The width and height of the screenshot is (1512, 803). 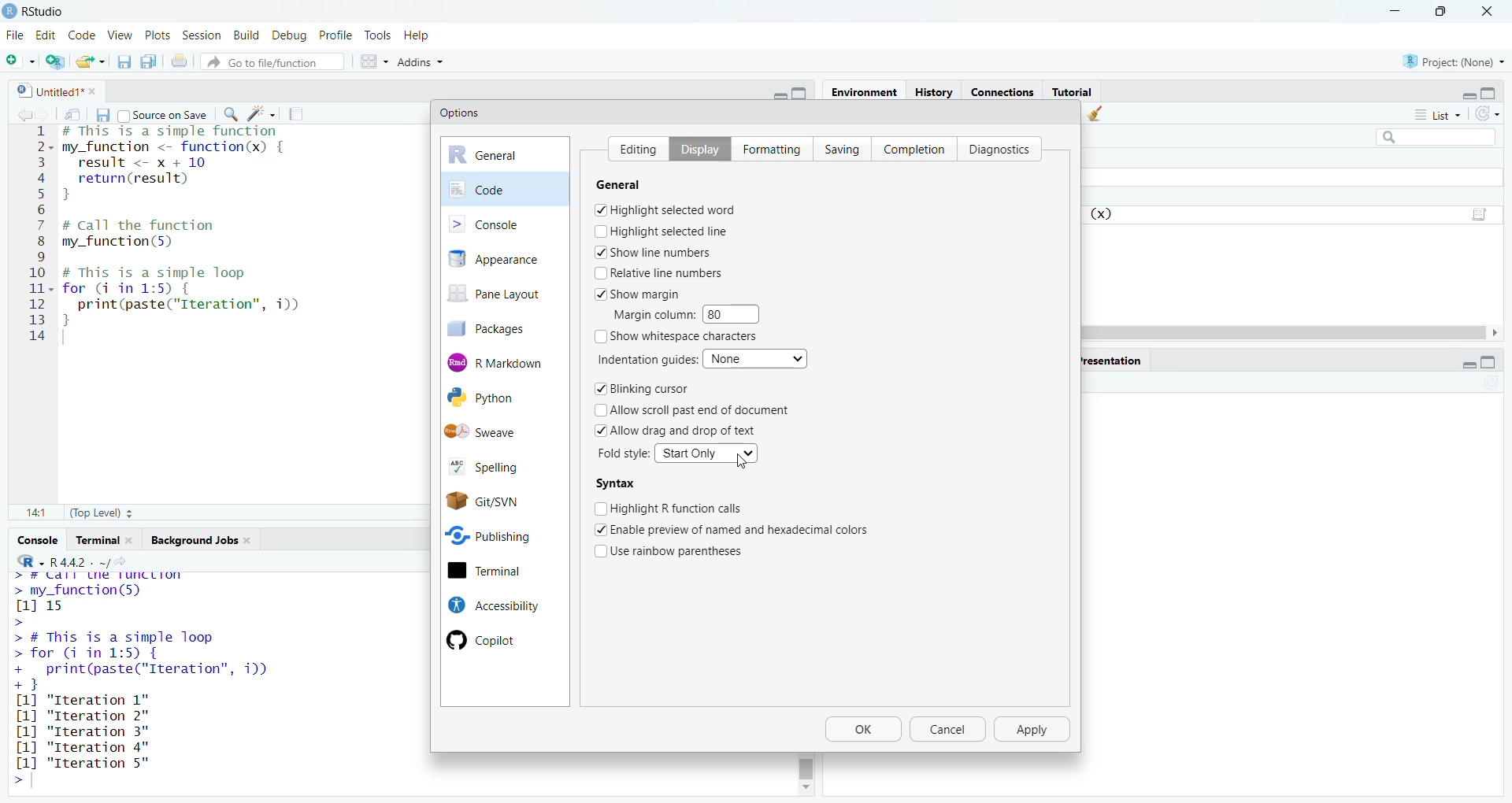 What do you see at coordinates (98, 91) in the screenshot?
I see `close` at bounding box center [98, 91].